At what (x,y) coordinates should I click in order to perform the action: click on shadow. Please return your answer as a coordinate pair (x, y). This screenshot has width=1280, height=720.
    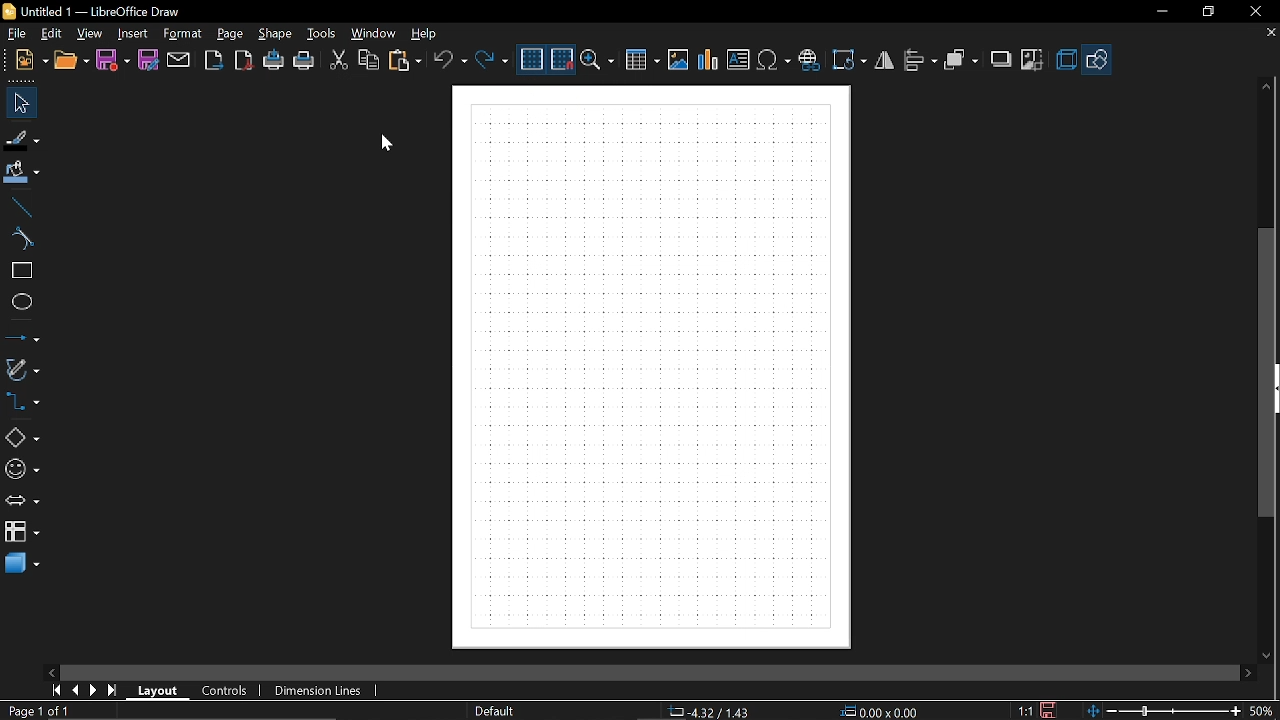
    Looking at the image, I should click on (1001, 60).